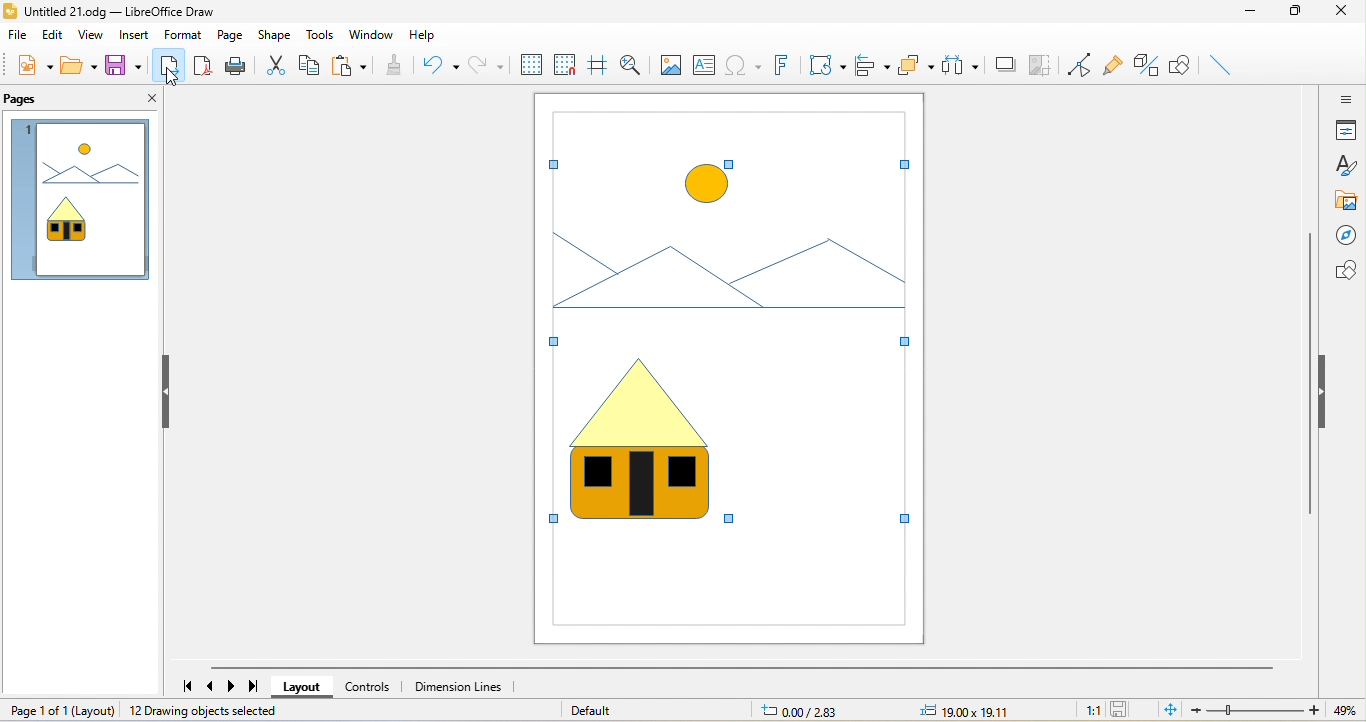 Image resolution: width=1366 pixels, height=722 pixels. I want to click on properties, so click(1345, 130).